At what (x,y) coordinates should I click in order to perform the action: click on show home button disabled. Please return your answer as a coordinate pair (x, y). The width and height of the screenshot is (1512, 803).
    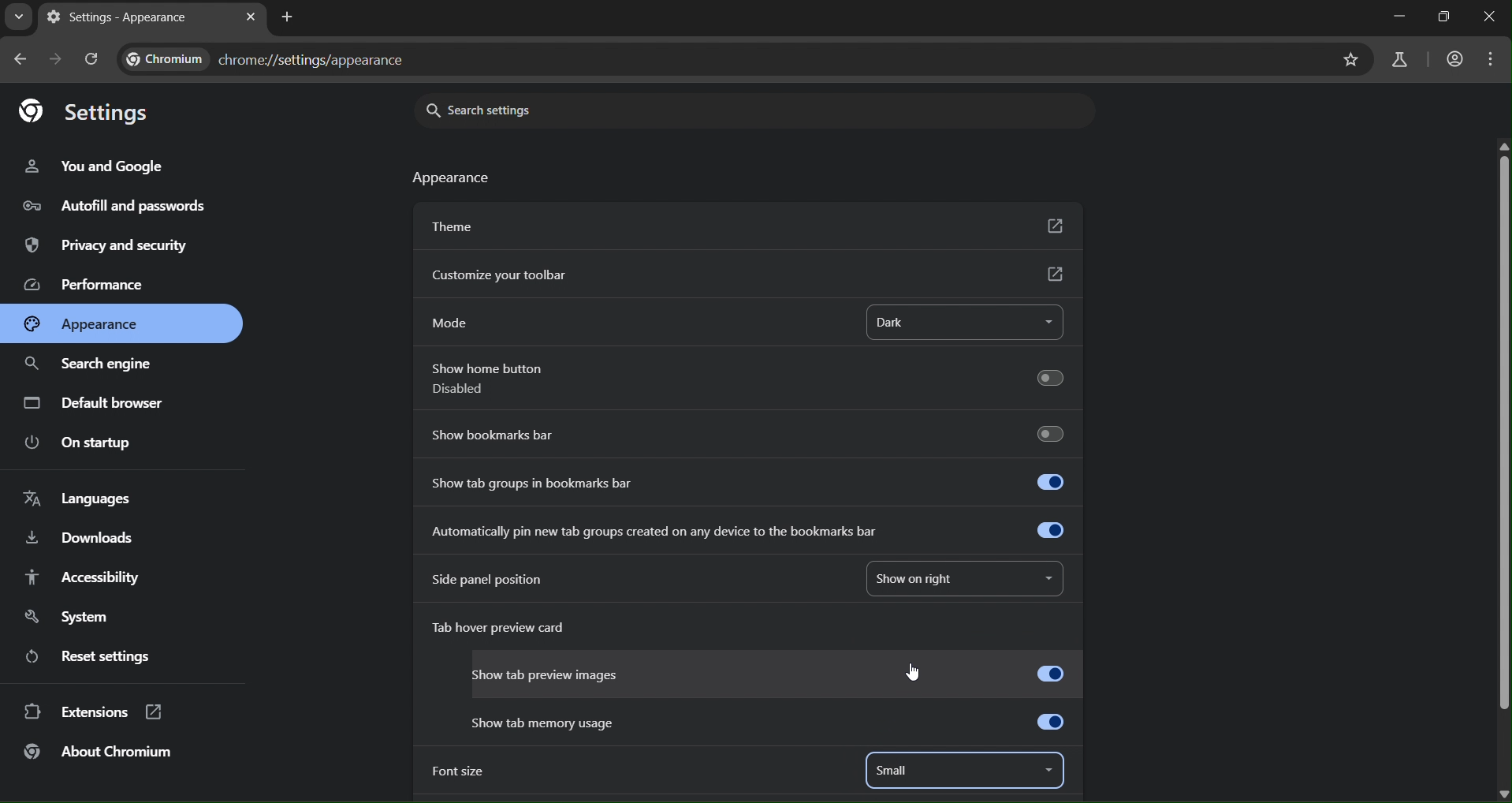
    Looking at the image, I should click on (753, 381).